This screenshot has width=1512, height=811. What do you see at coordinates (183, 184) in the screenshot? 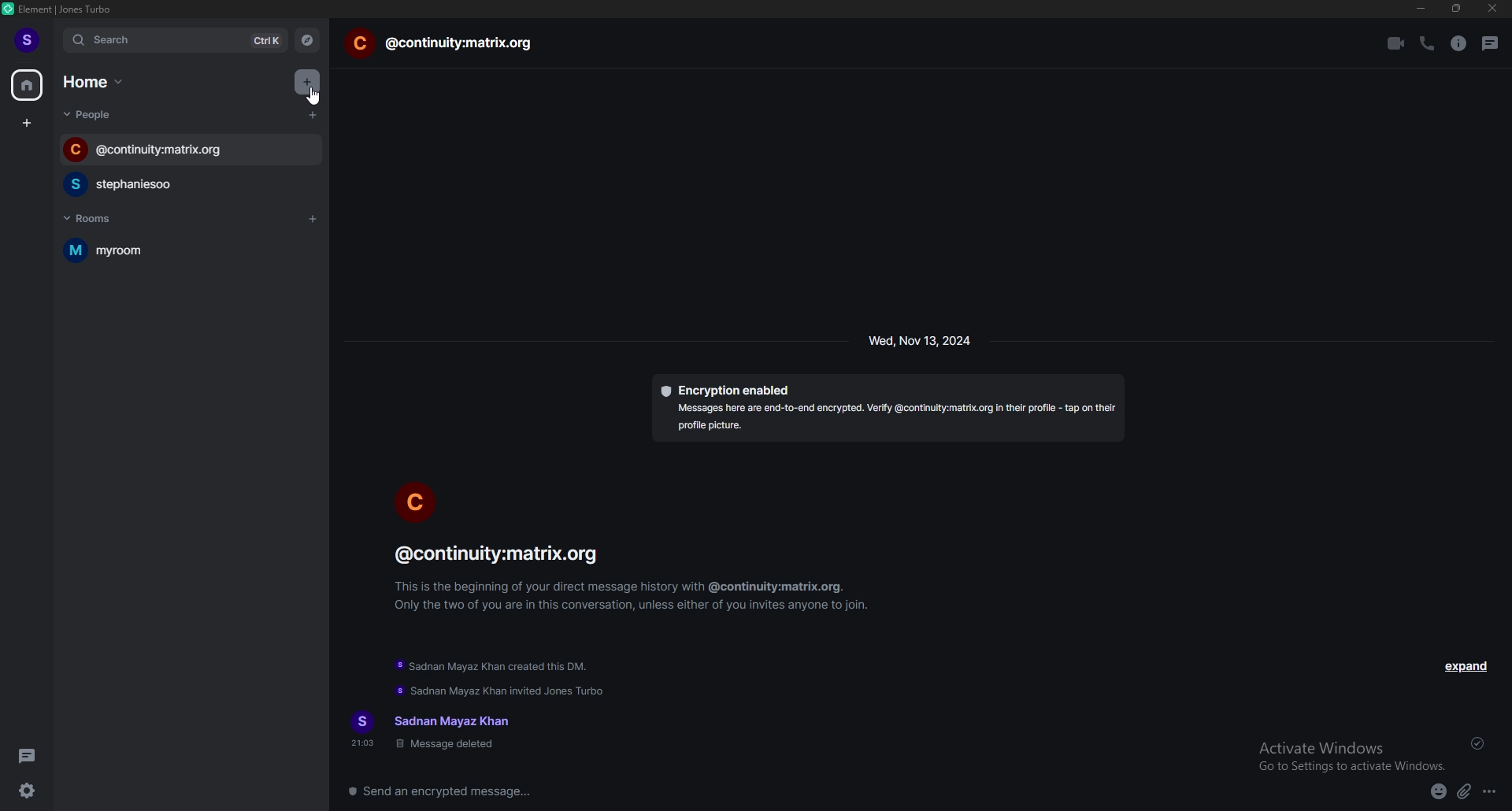
I see `chat` at bounding box center [183, 184].